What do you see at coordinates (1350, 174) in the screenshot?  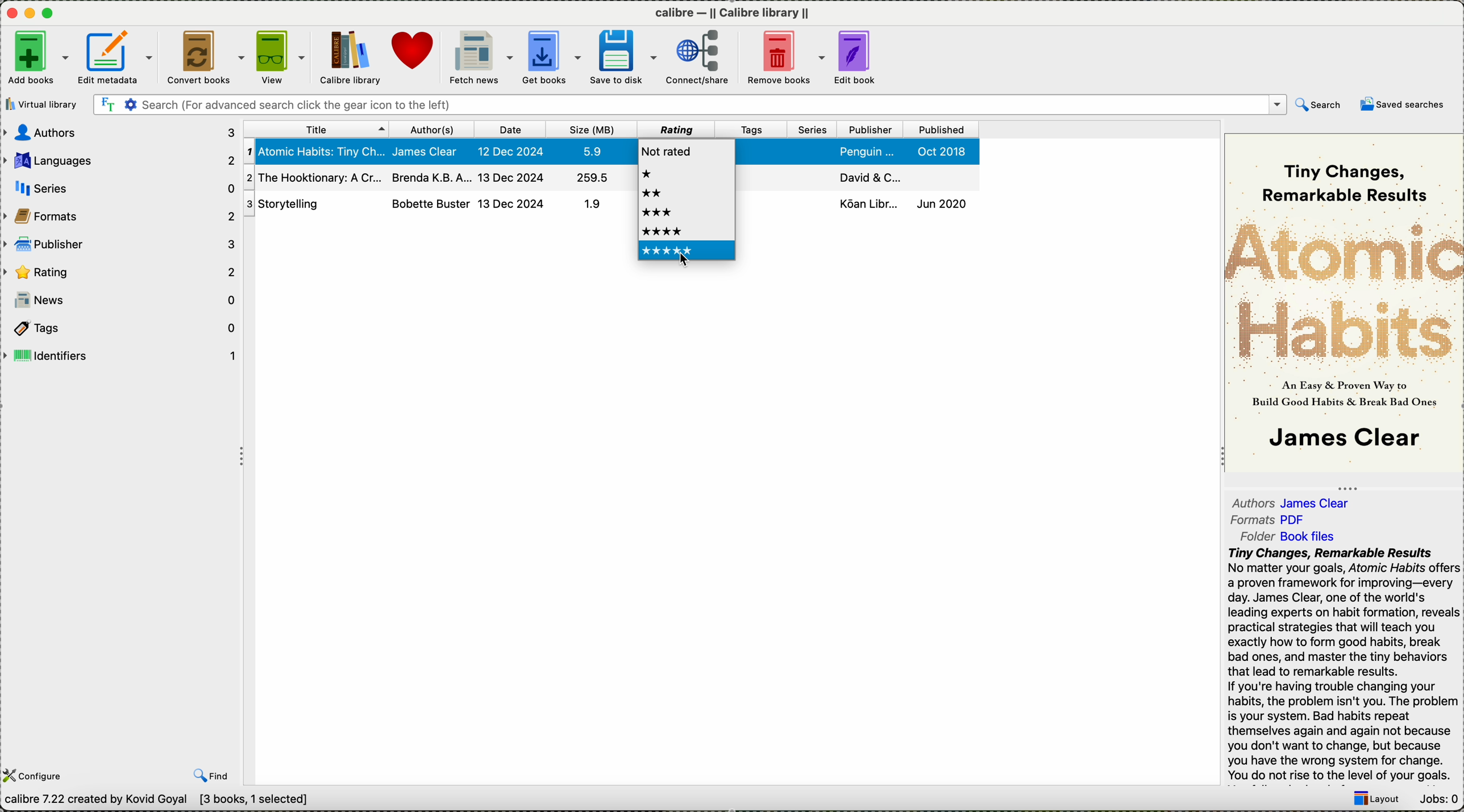 I see `Tiny Changes, Remarkable Results` at bounding box center [1350, 174].